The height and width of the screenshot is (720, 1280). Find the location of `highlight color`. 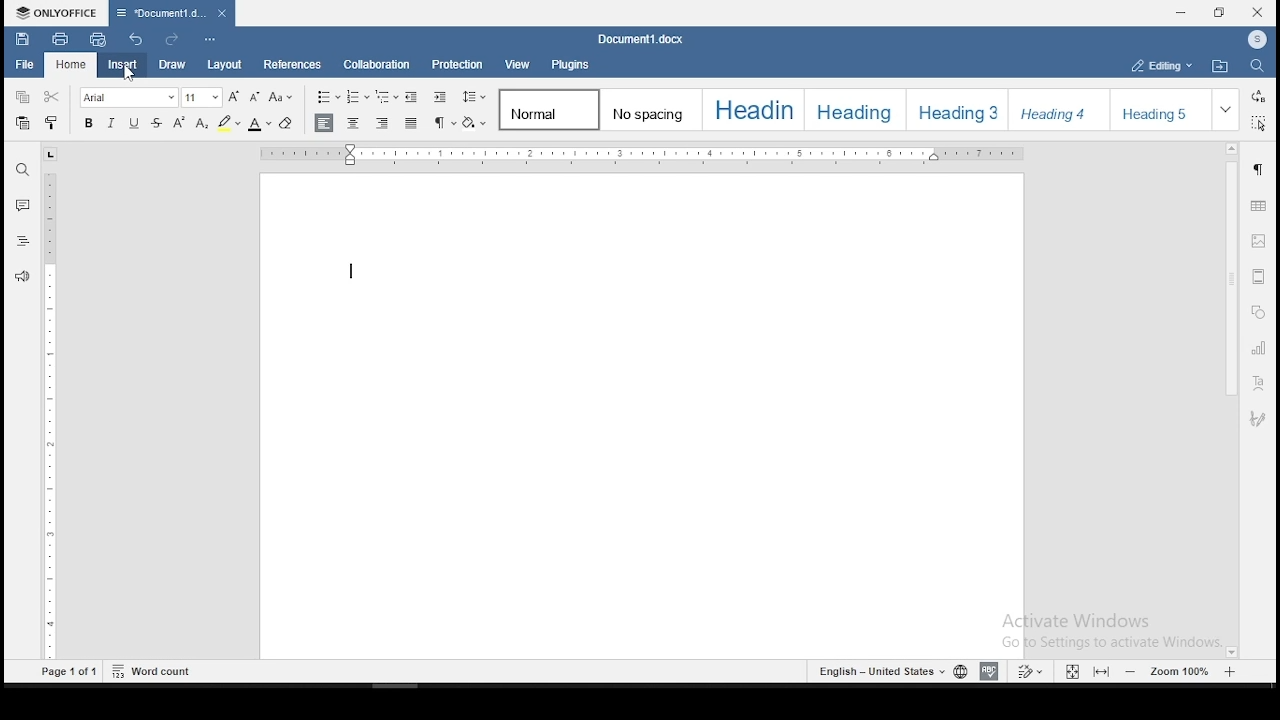

highlight color is located at coordinates (229, 122).